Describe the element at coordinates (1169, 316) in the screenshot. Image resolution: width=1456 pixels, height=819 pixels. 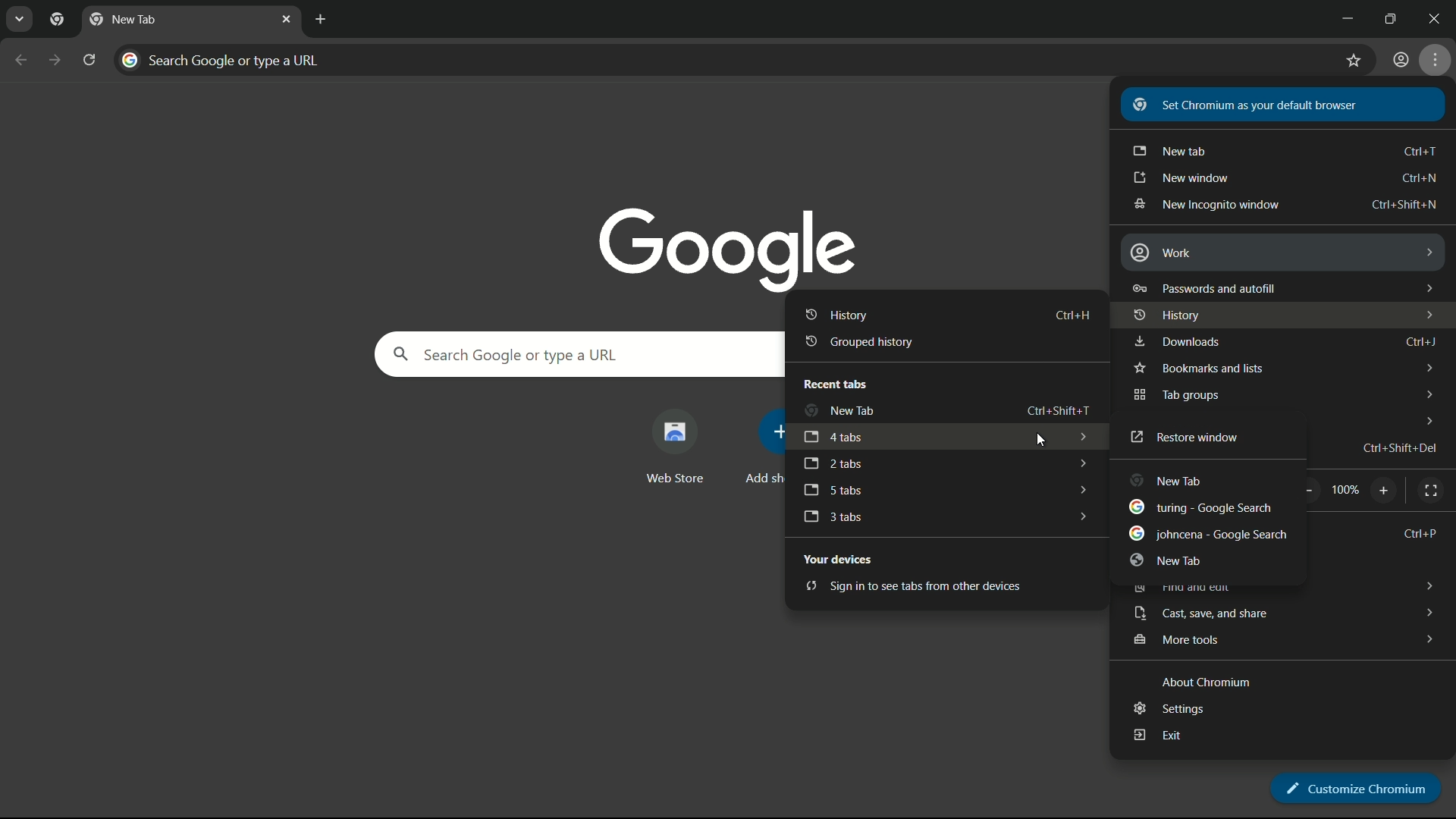
I see `history` at that location.